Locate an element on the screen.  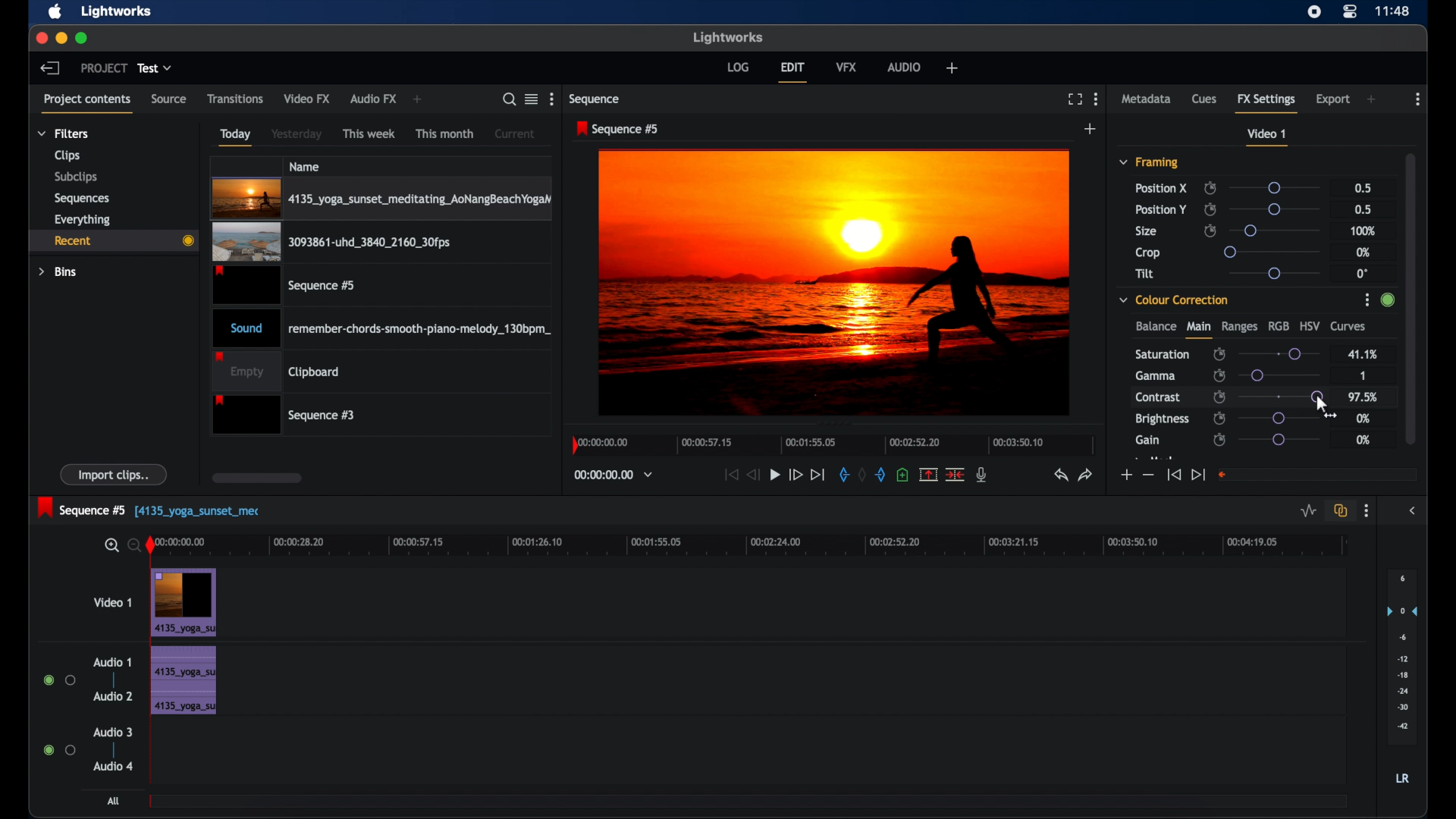
audio clip is located at coordinates (382, 327).